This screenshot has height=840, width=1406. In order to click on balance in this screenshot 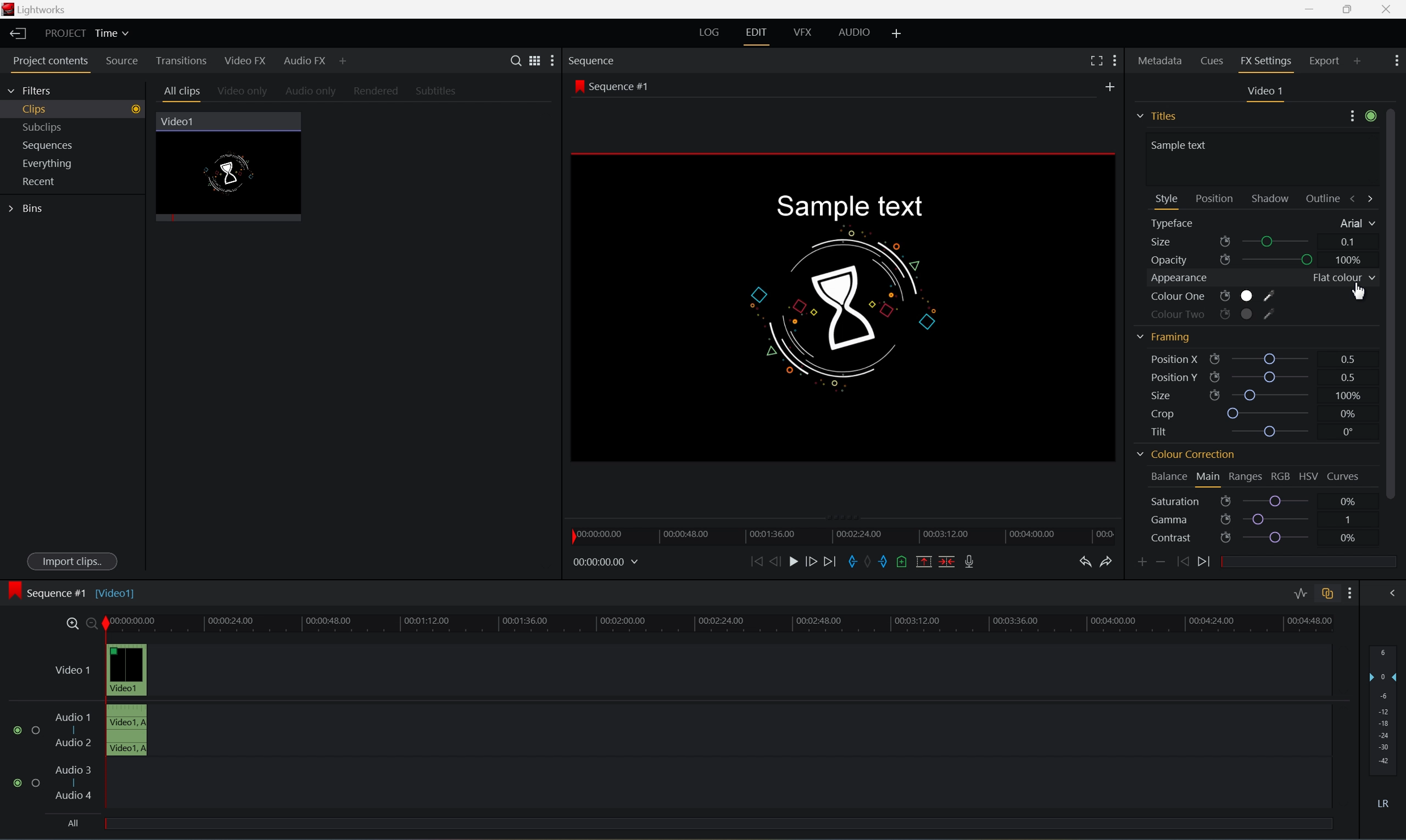, I will do `click(1164, 474)`.